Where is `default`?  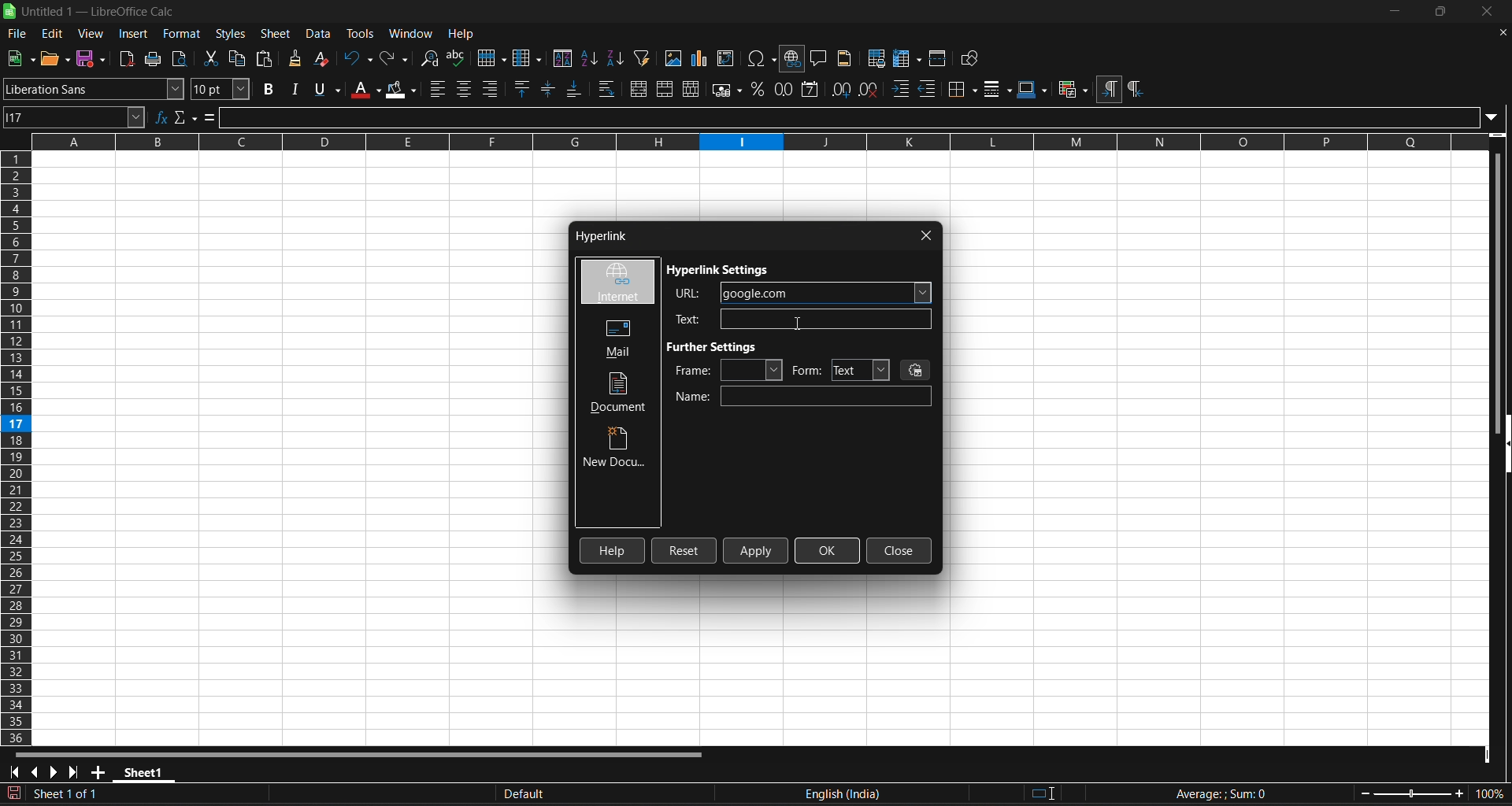
default is located at coordinates (646, 794).